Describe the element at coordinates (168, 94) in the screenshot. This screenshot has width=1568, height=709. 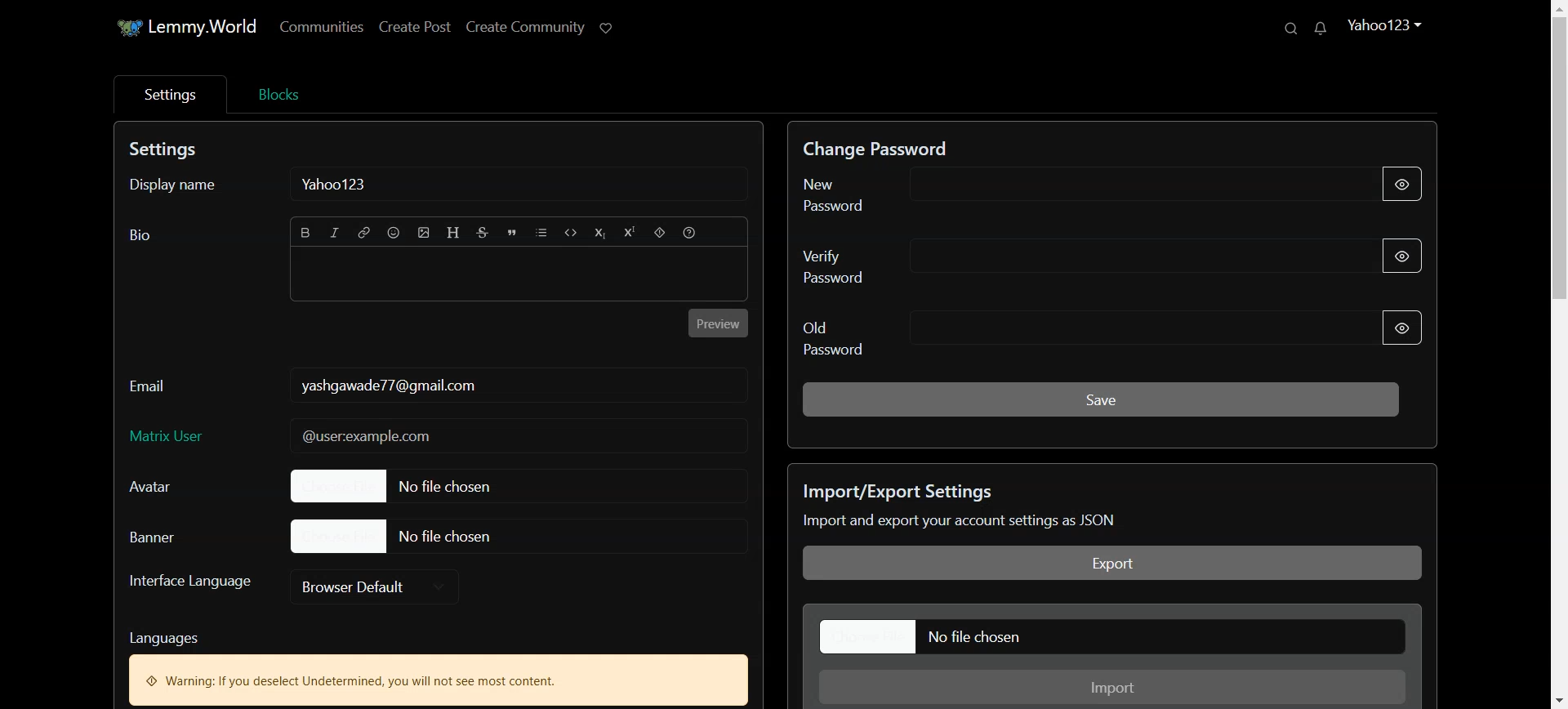
I see `Settings` at that location.